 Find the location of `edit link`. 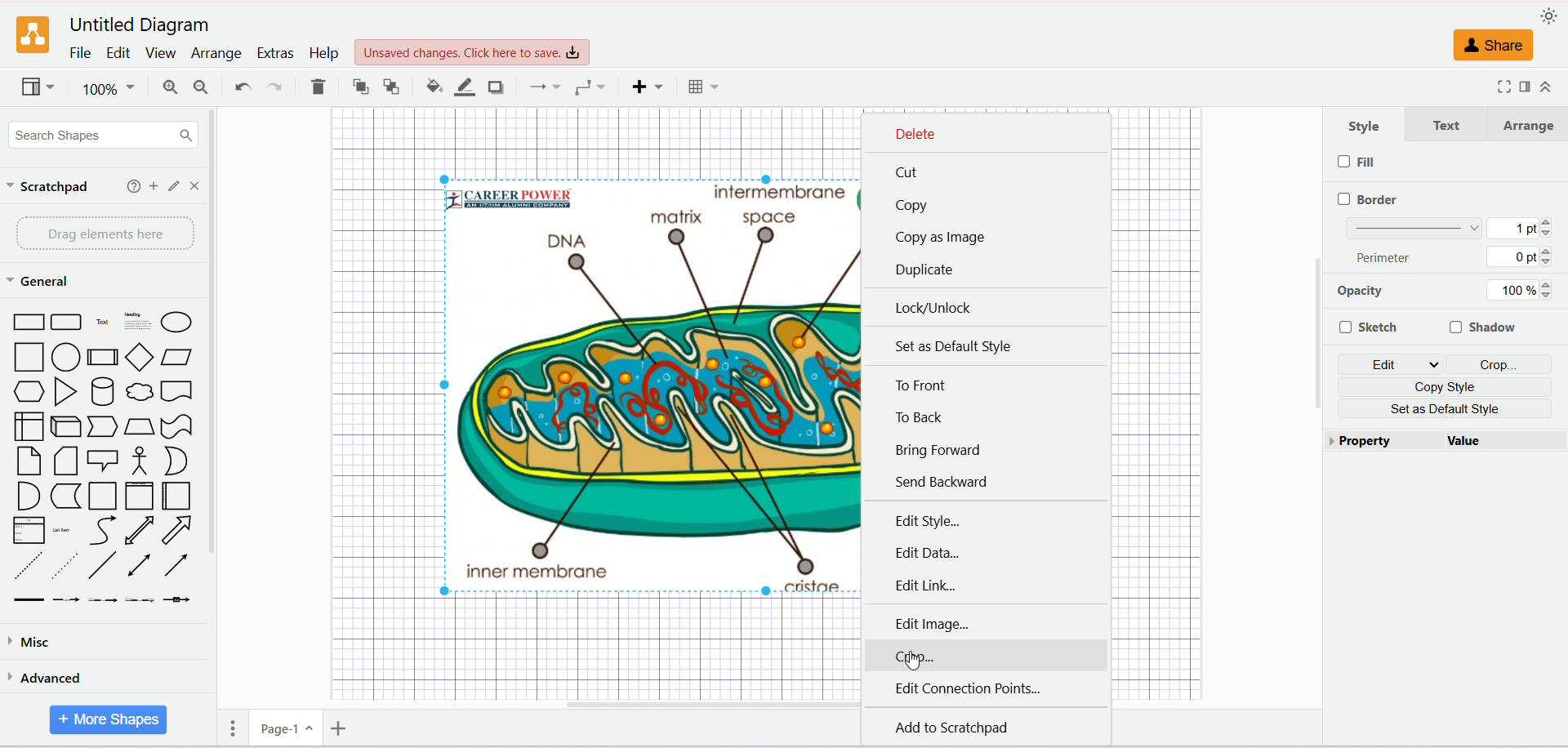

edit link is located at coordinates (930, 585).